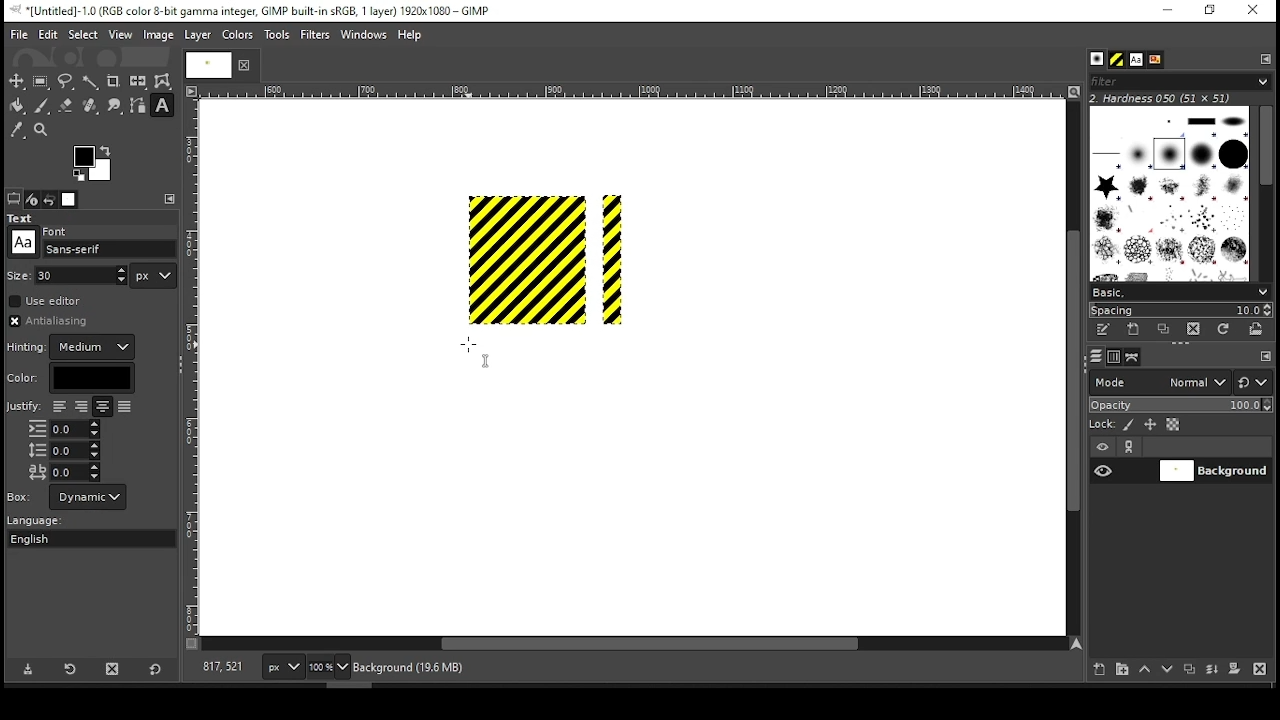  I want to click on justify right, so click(80, 408).